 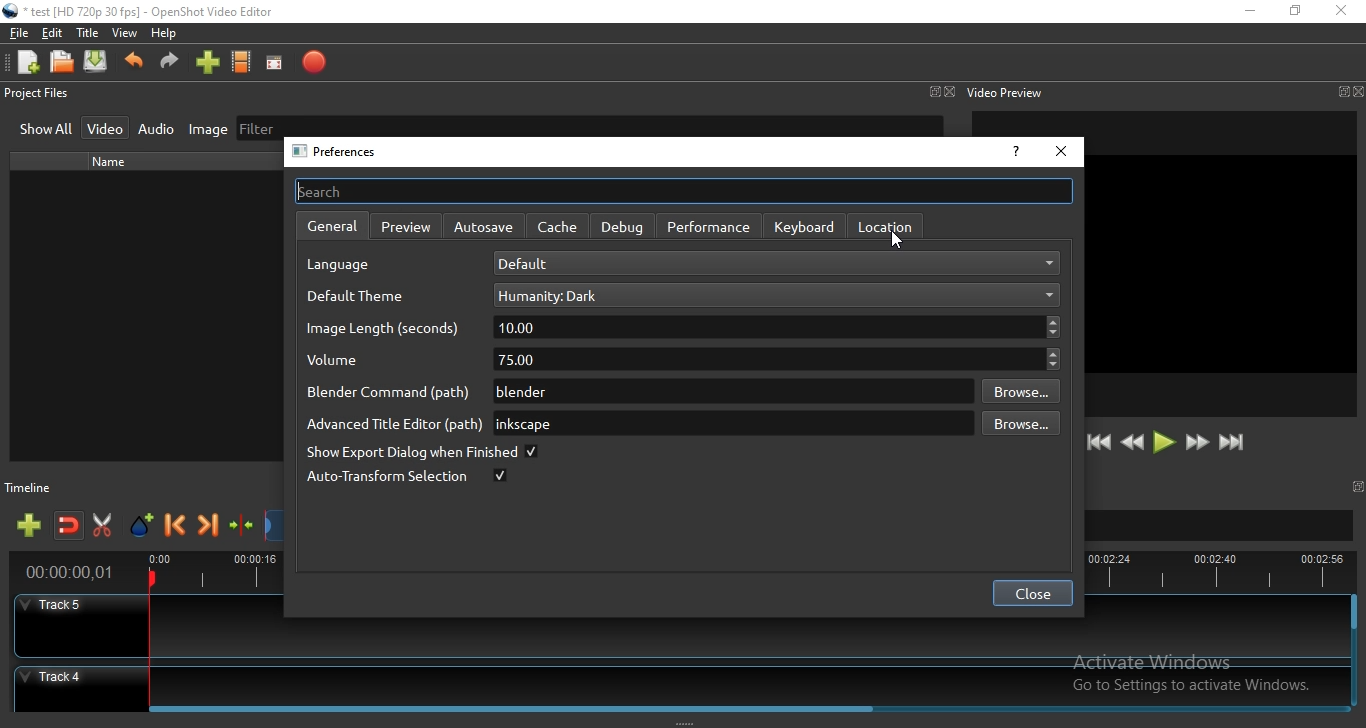 I want to click on Title, so click(x=88, y=33).